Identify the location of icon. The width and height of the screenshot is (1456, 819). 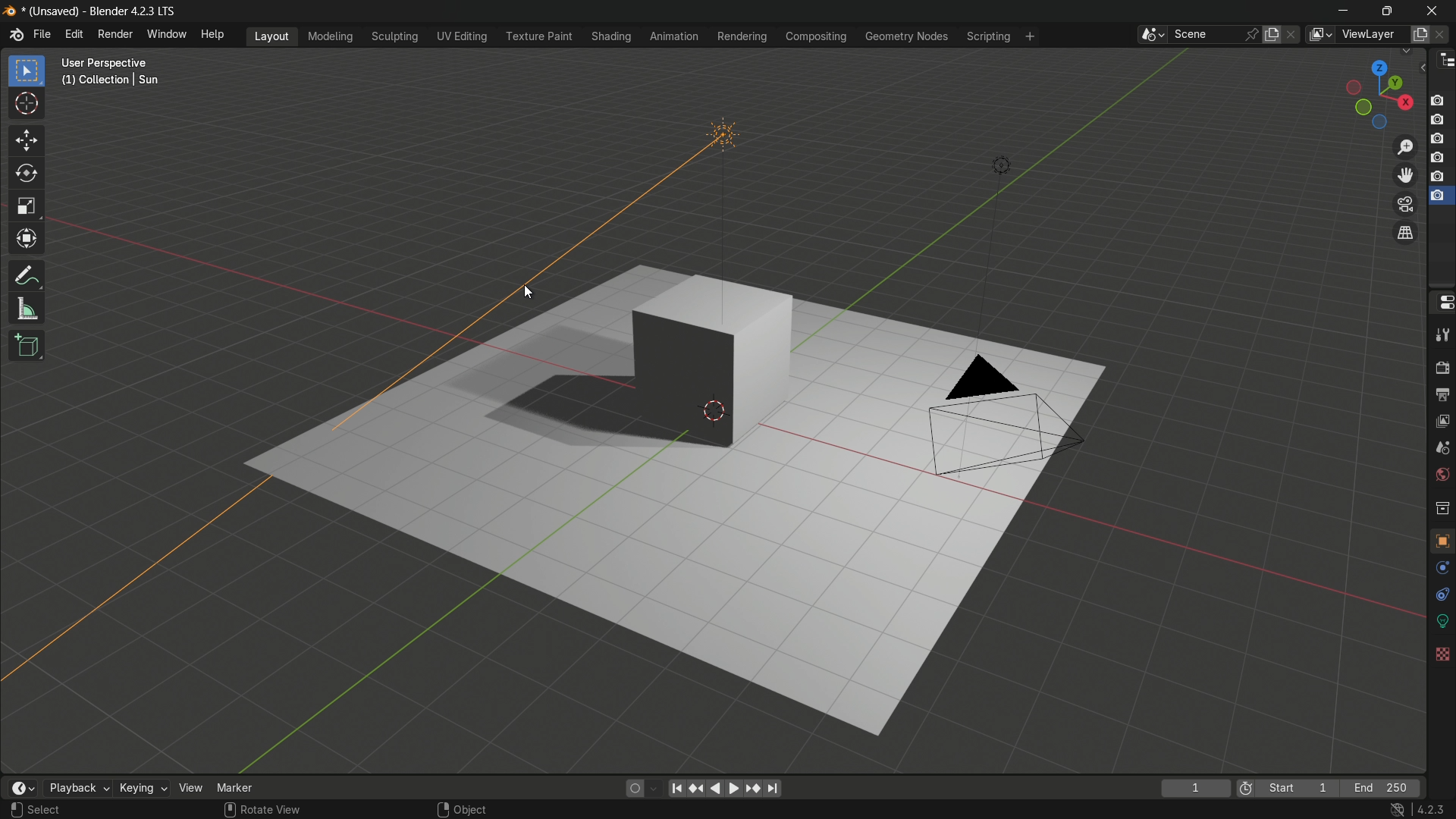
(1244, 786).